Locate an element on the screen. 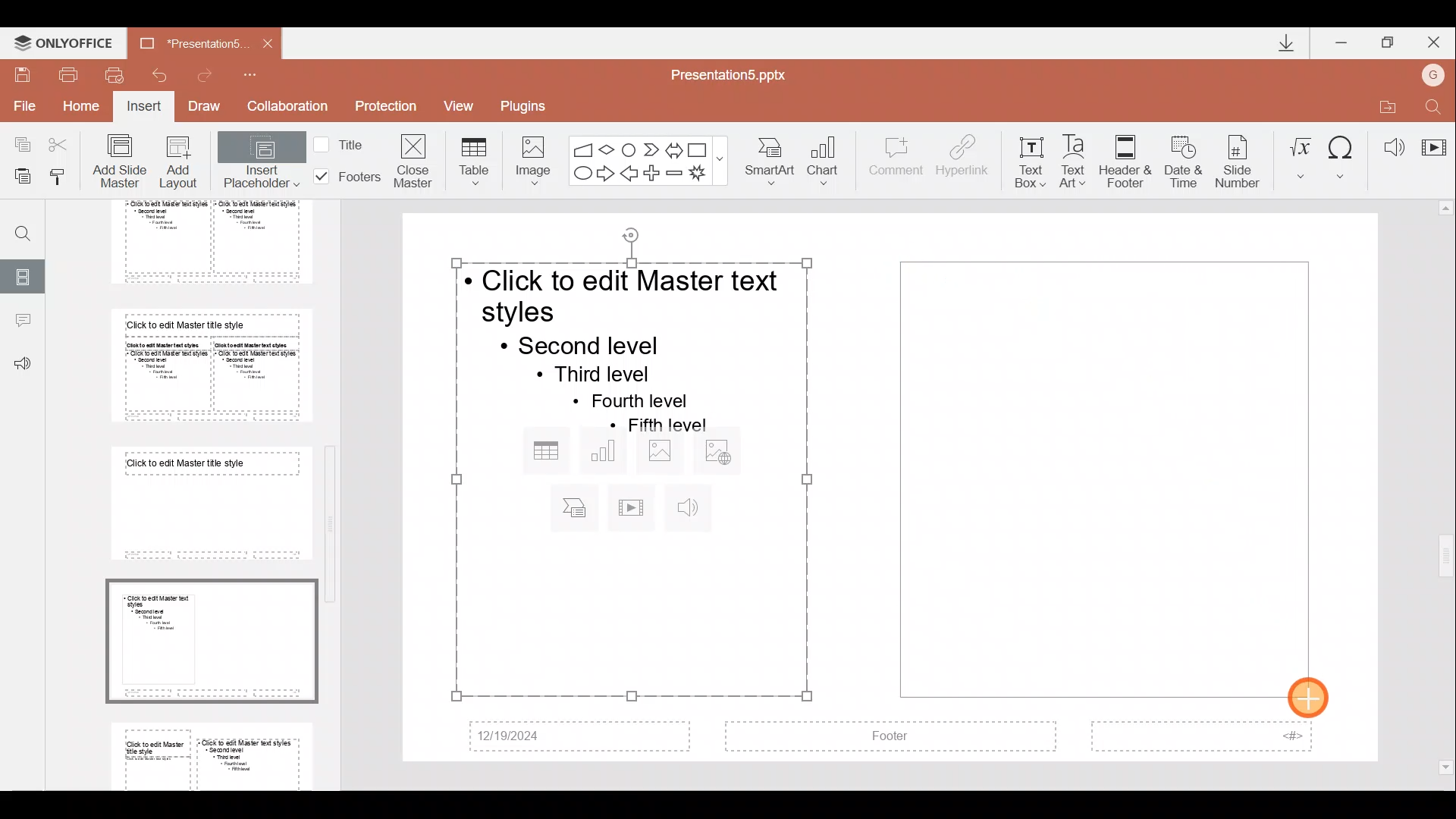 This screenshot has height=819, width=1456. Left arrow is located at coordinates (630, 174).